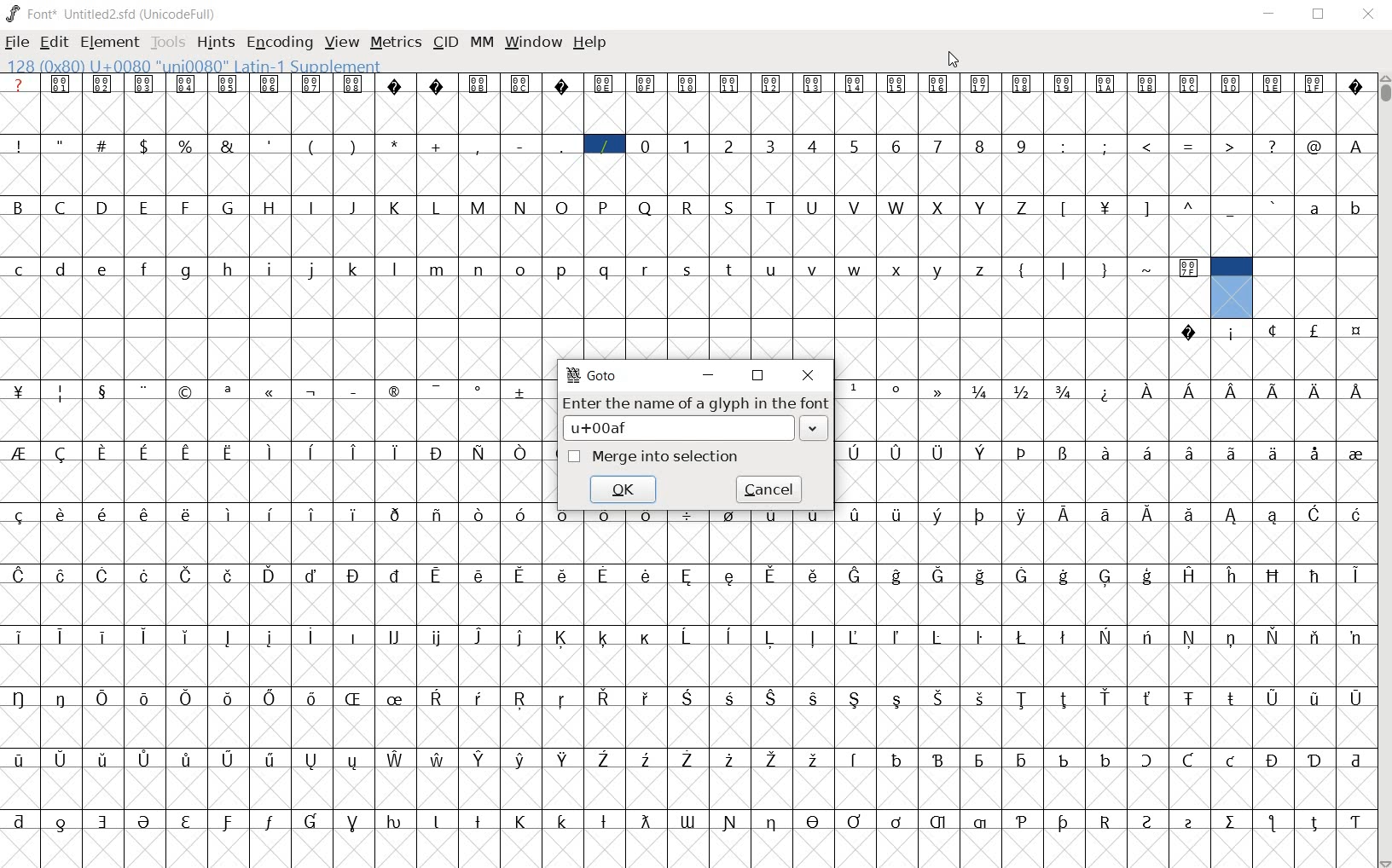 The image size is (1392, 868). What do you see at coordinates (562, 207) in the screenshot?
I see `O` at bounding box center [562, 207].